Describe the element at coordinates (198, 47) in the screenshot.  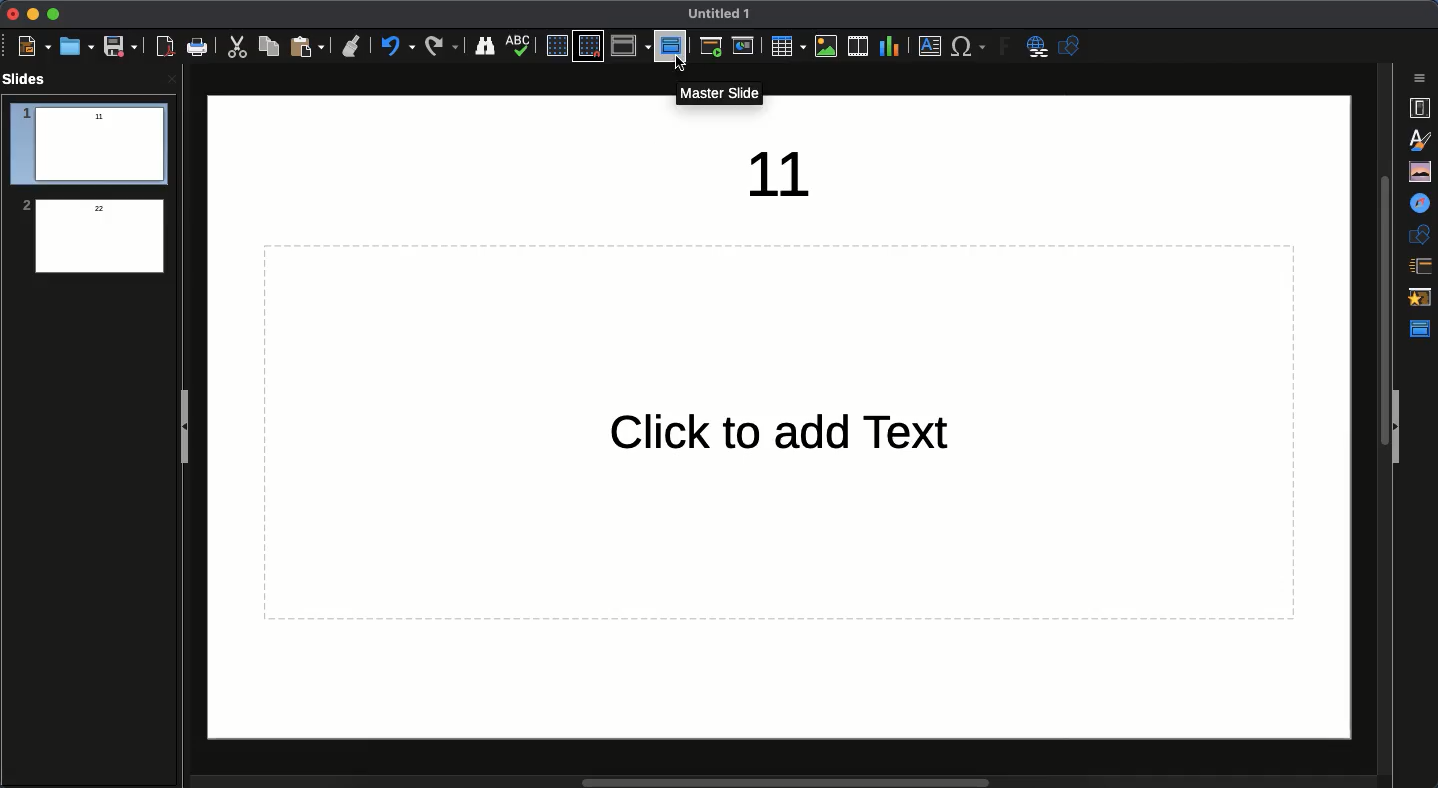
I see `Print` at that location.